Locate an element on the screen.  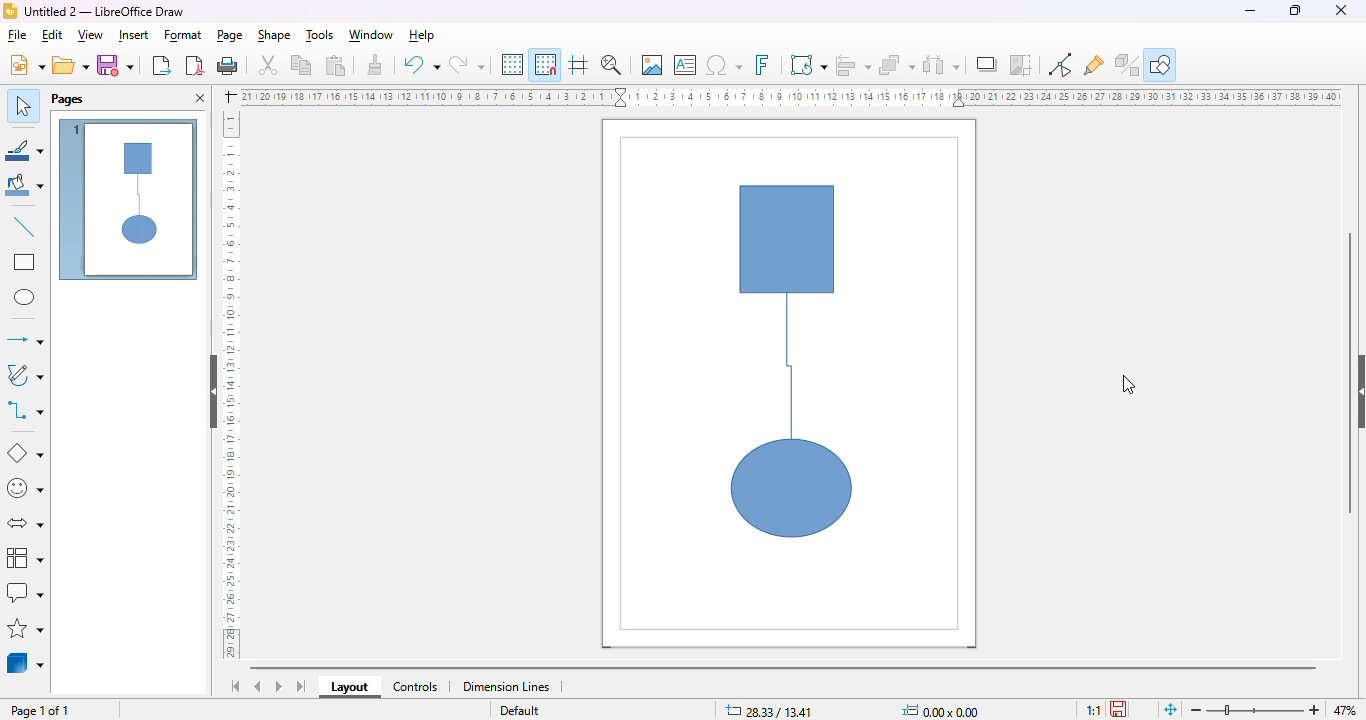
insert fontwork text is located at coordinates (762, 64).